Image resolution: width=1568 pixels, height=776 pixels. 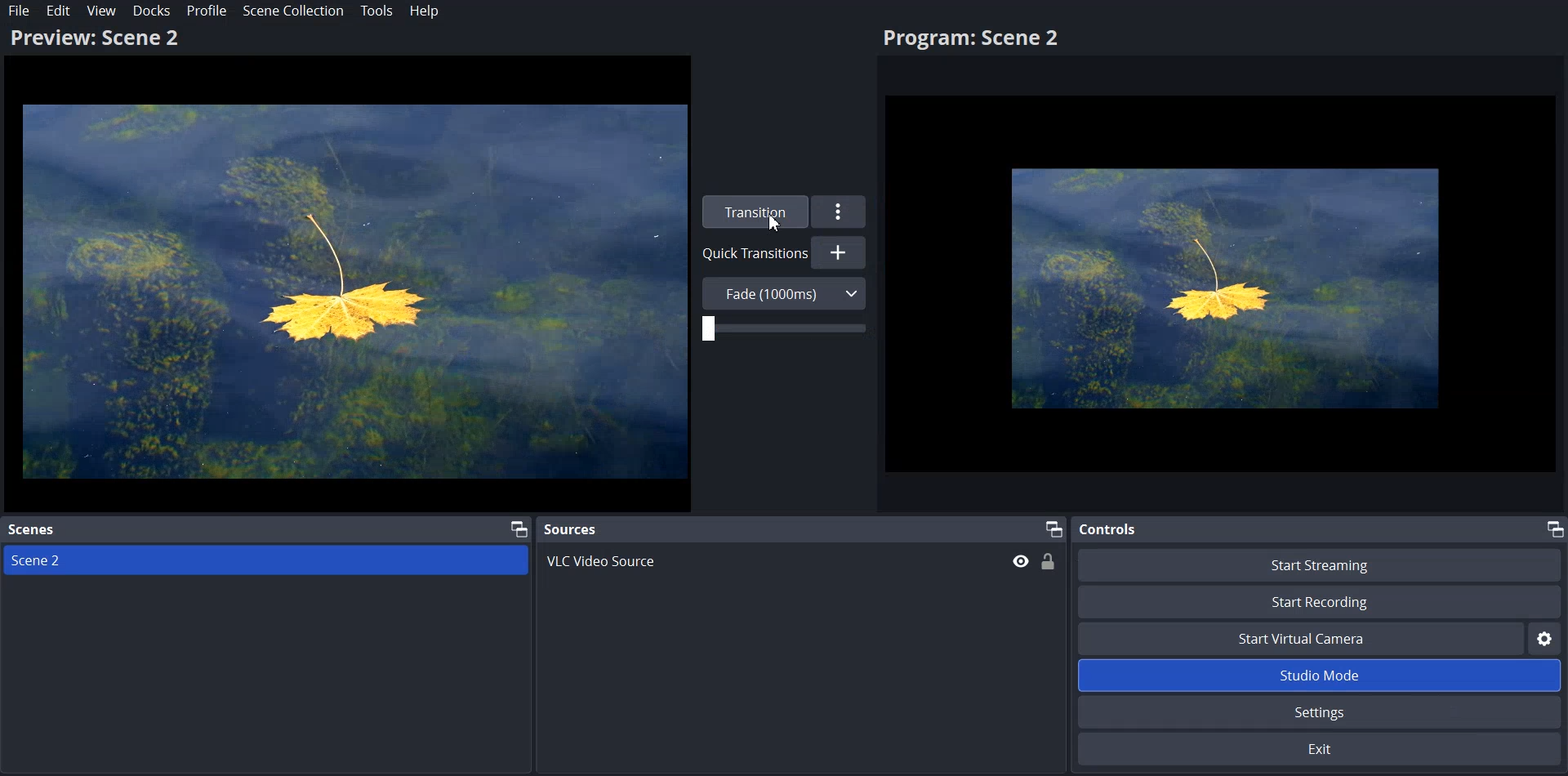 What do you see at coordinates (754, 212) in the screenshot?
I see `Transition` at bounding box center [754, 212].